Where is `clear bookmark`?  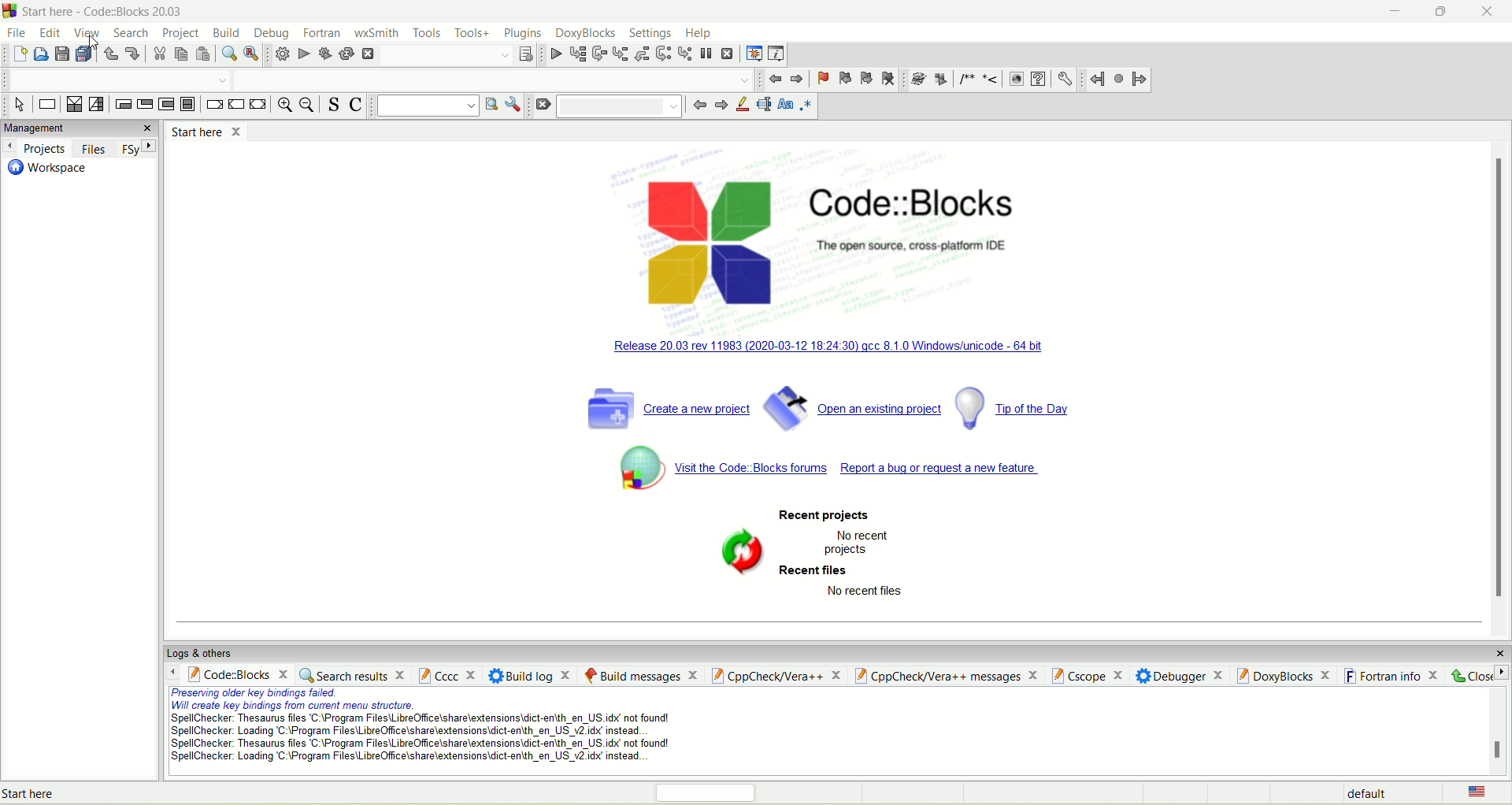
clear bookmark is located at coordinates (890, 79).